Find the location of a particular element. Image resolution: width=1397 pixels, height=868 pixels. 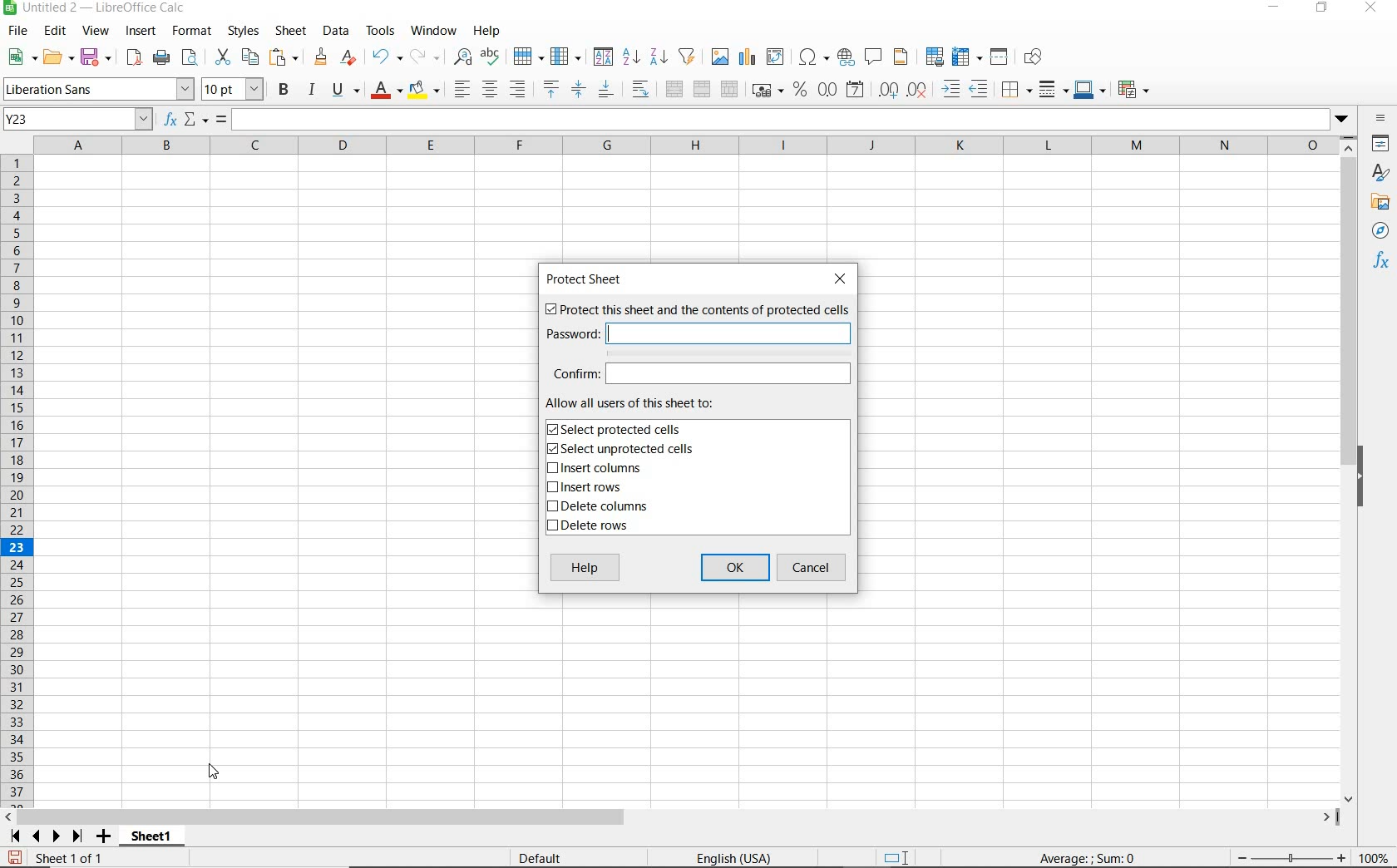

INSERT IMAGE is located at coordinates (720, 56).